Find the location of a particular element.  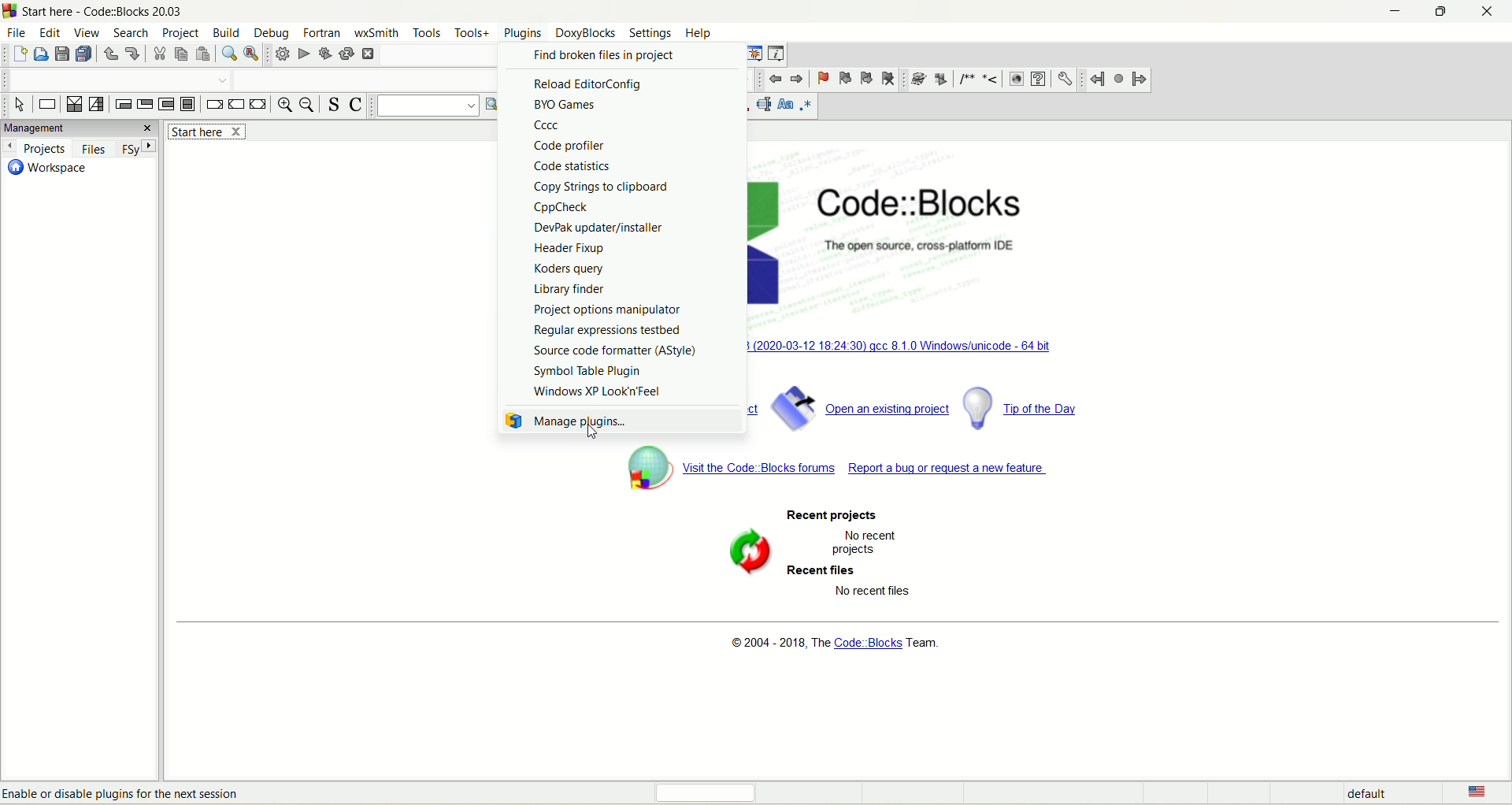

manage plugins is located at coordinates (621, 421).